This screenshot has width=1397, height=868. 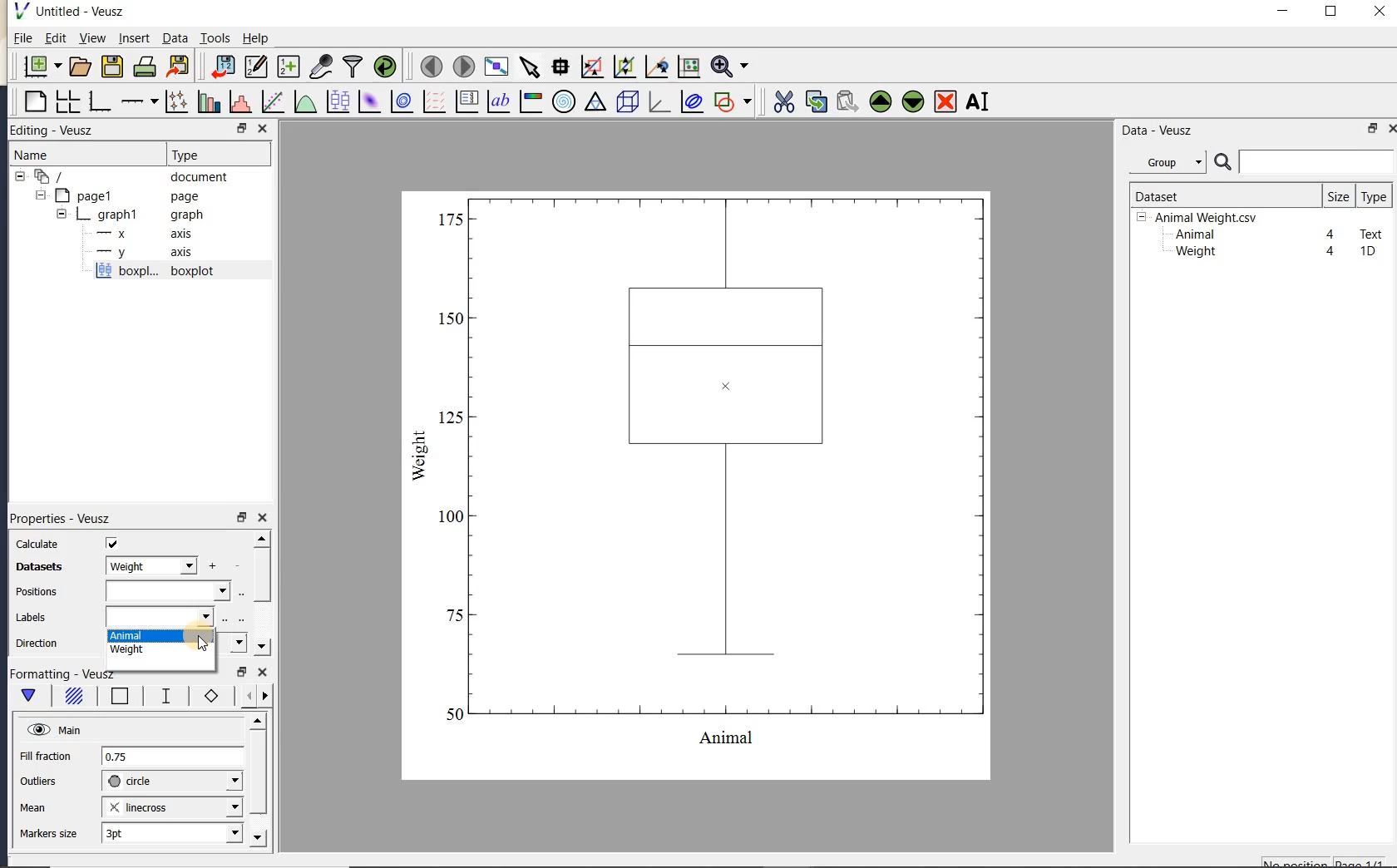 What do you see at coordinates (150, 565) in the screenshot?
I see `data` at bounding box center [150, 565].